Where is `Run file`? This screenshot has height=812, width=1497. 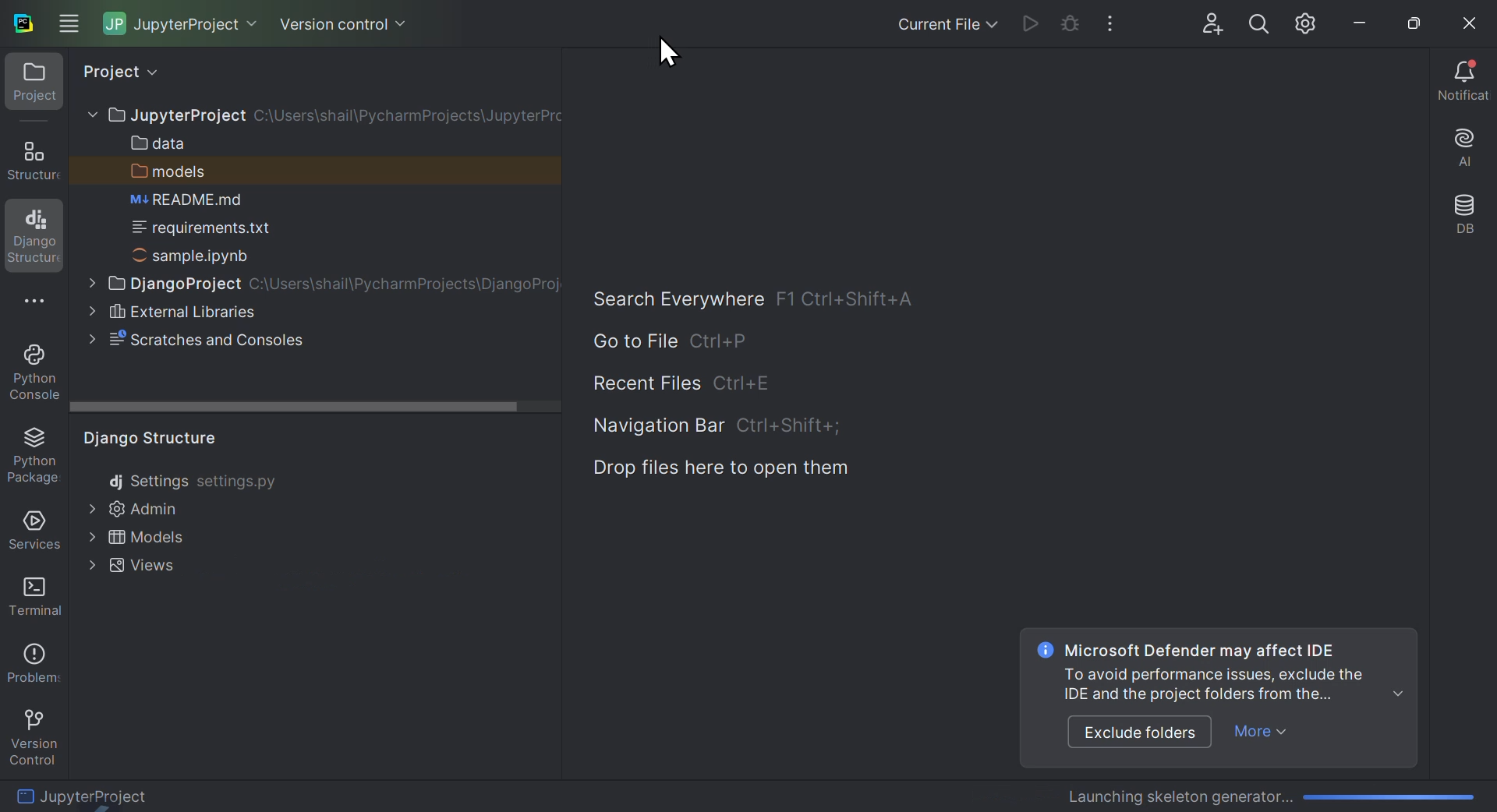
Run file is located at coordinates (1031, 25).